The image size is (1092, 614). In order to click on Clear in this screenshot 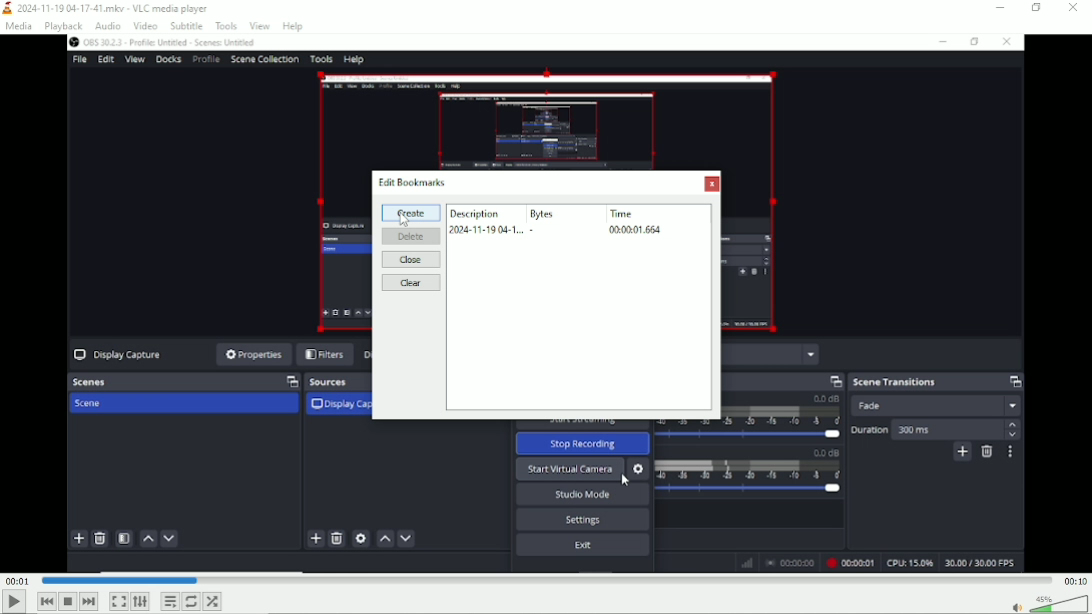, I will do `click(413, 283)`.